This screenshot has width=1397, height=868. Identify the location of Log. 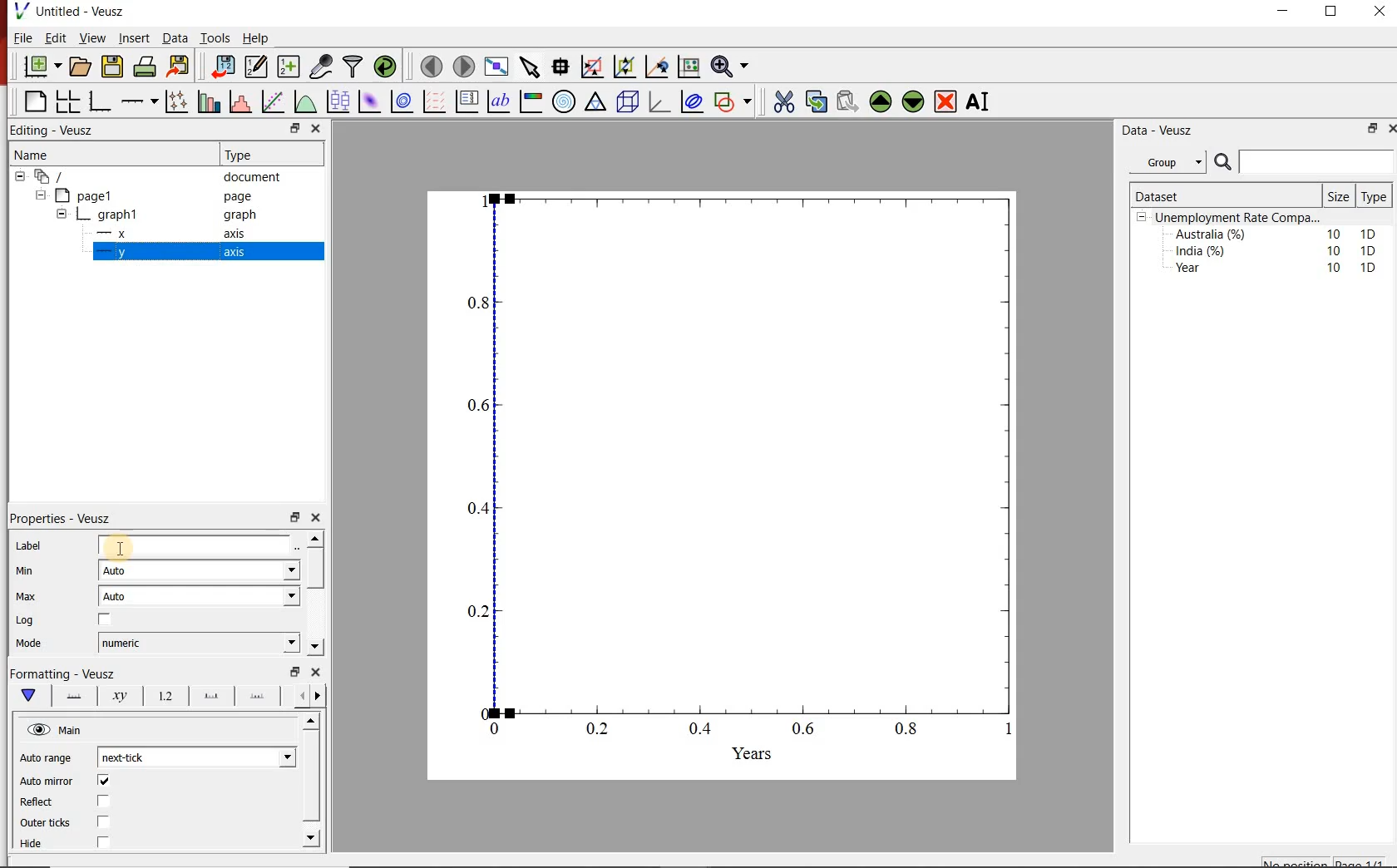
(31, 622).